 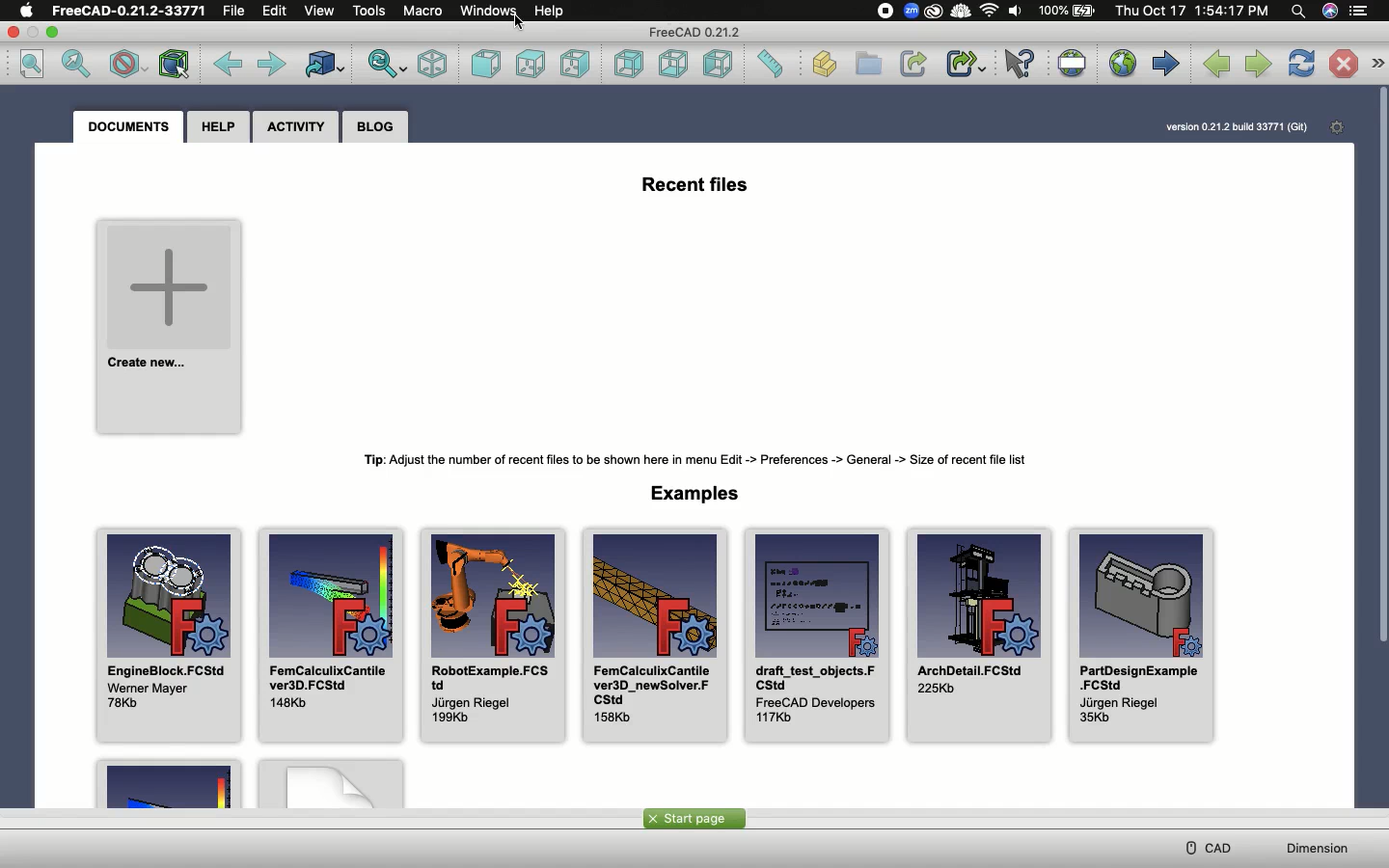 What do you see at coordinates (173, 66) in the screenshot?
I see `Bounding box` at bounding box center [173, 66].